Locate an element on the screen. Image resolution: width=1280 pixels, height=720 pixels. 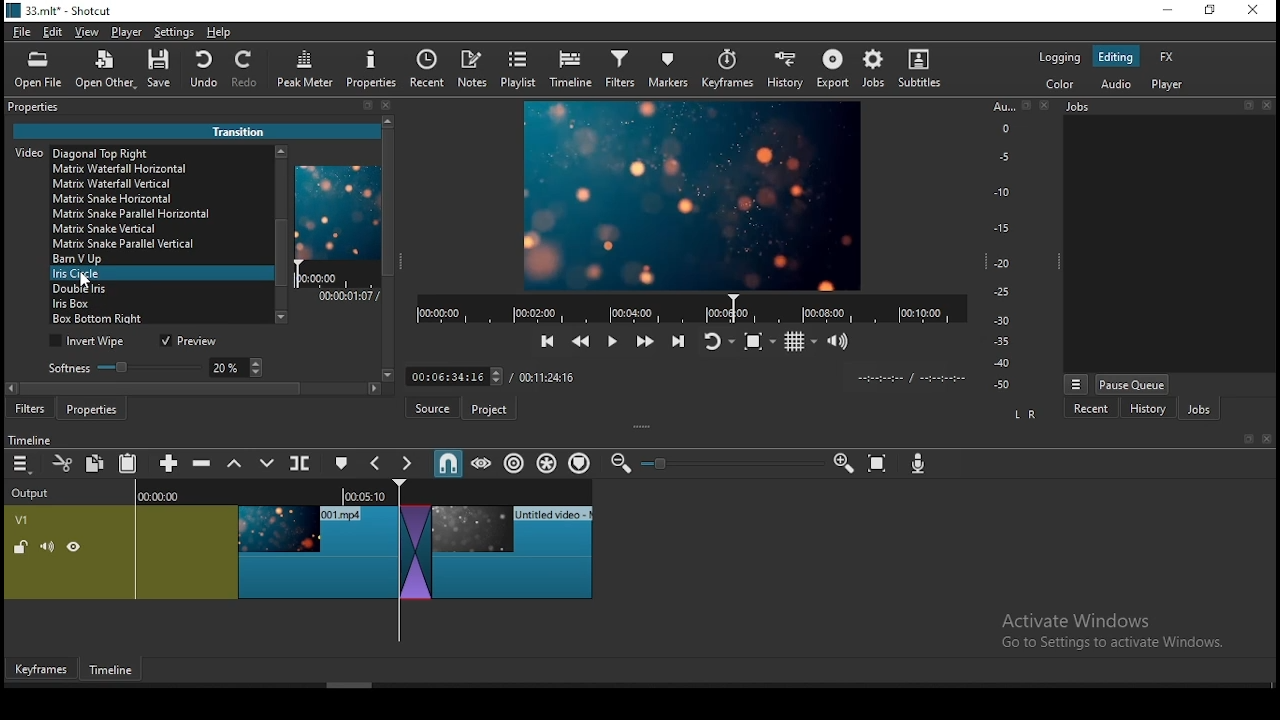
invert wipe on/off is located at coordinates (90, 342).